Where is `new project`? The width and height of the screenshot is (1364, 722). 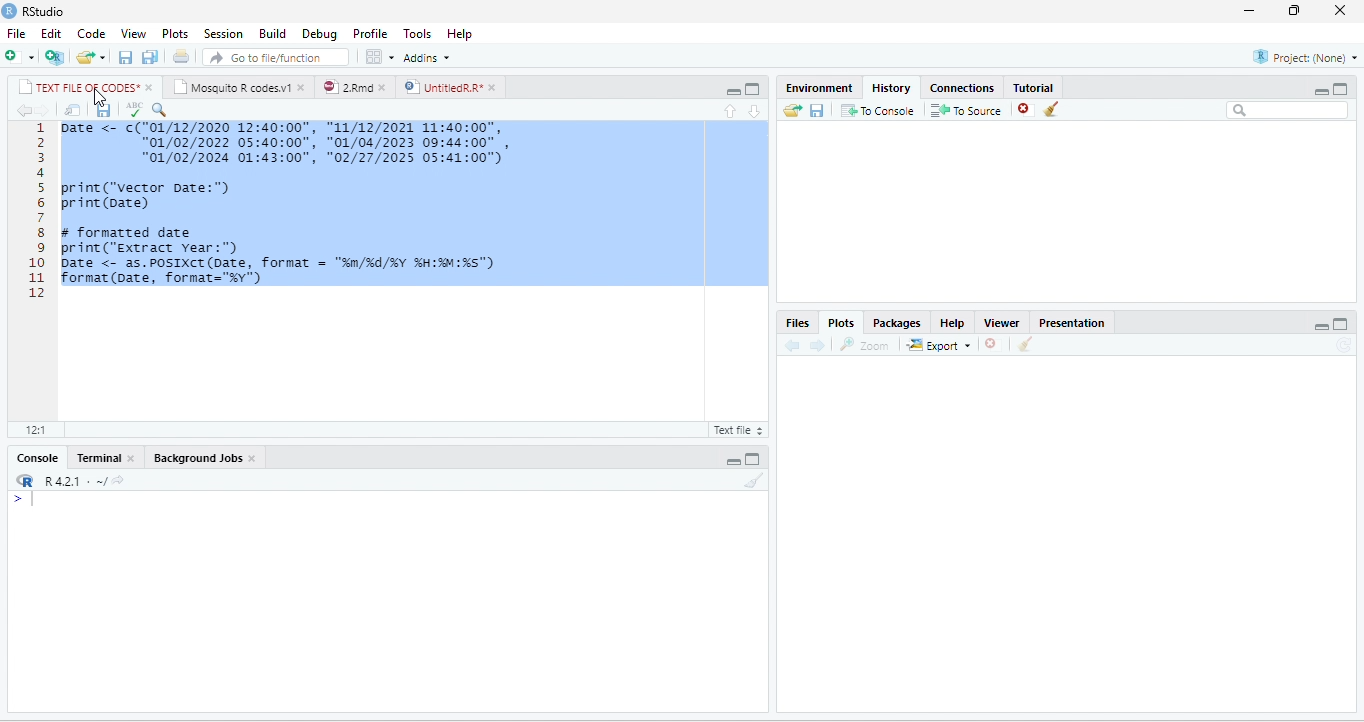
new project is located at coordinates (55, 57).